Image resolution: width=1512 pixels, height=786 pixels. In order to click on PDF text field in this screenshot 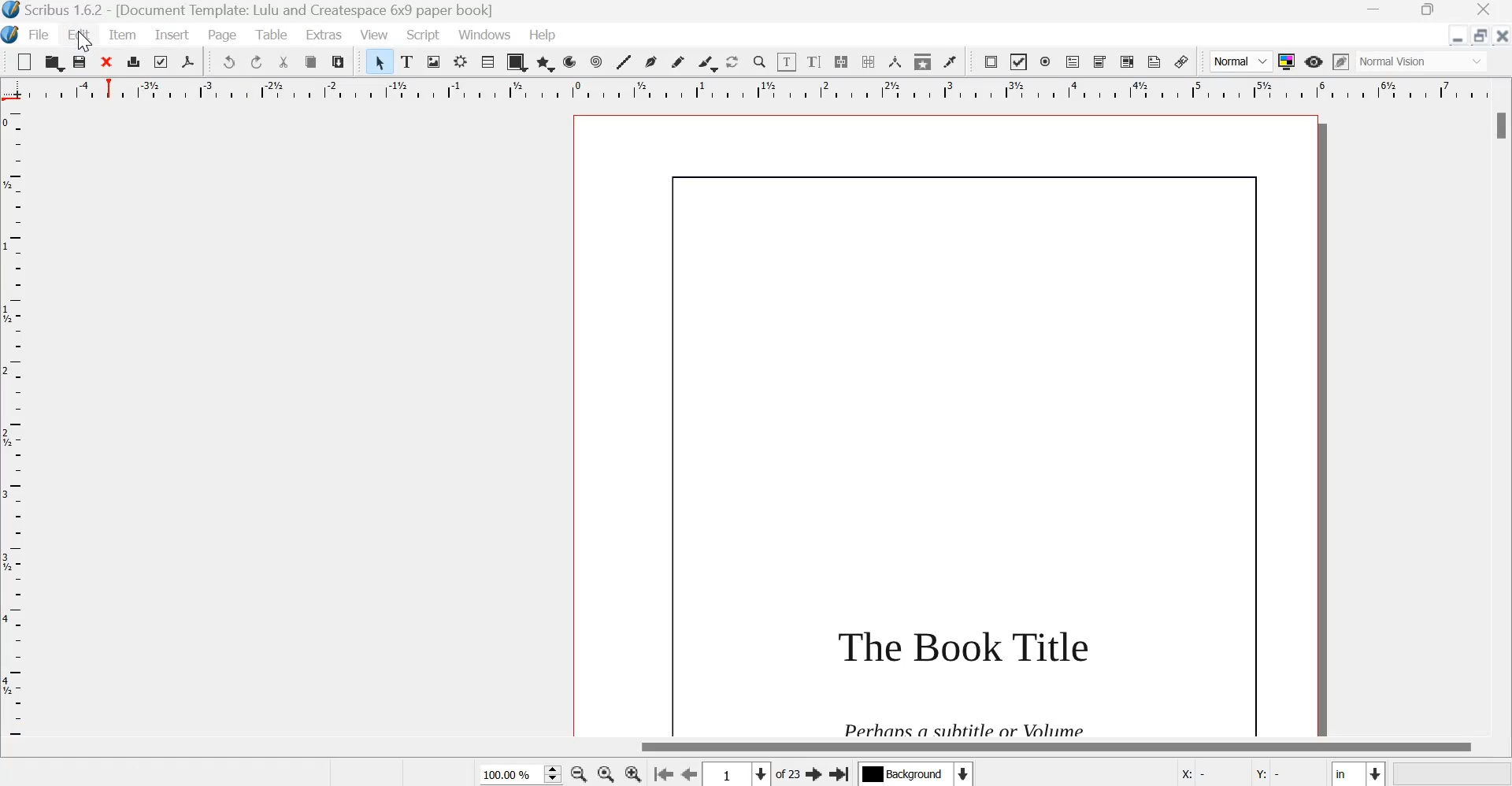, I will do `click(1073, 61)`.